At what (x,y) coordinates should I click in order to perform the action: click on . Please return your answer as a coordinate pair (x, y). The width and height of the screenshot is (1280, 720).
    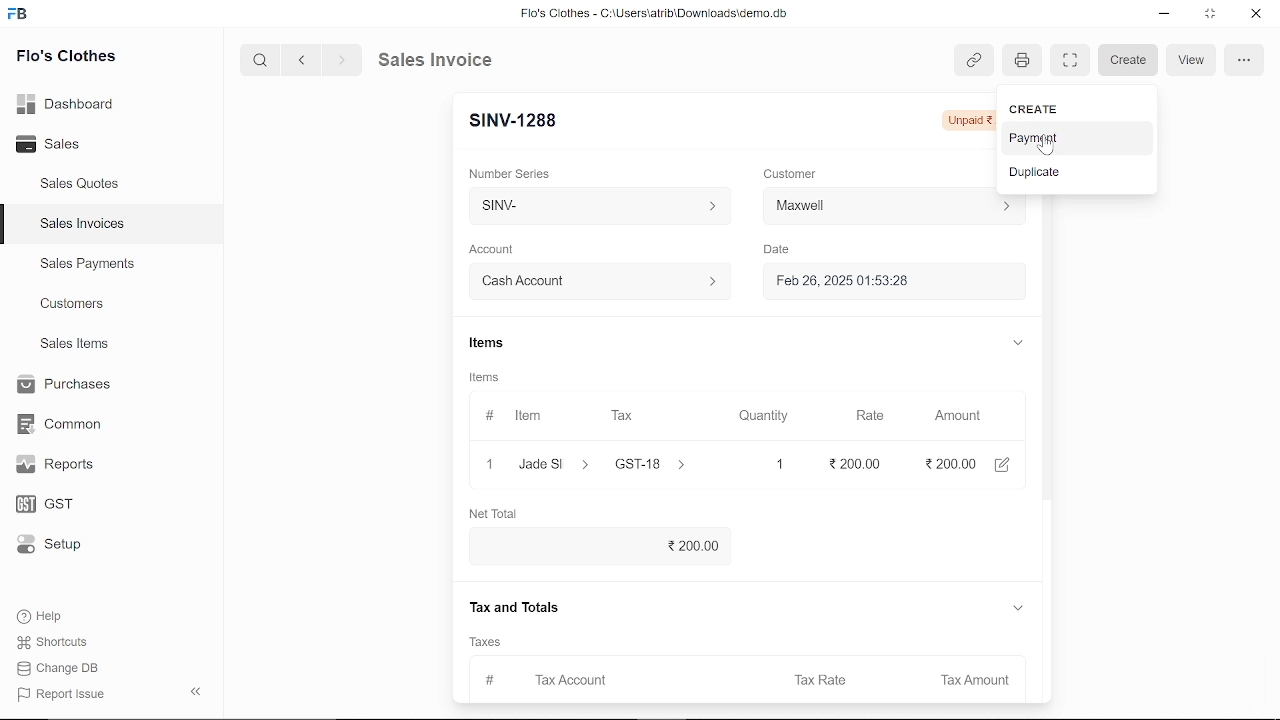
    Looking at the image, I should click on (487, 379).